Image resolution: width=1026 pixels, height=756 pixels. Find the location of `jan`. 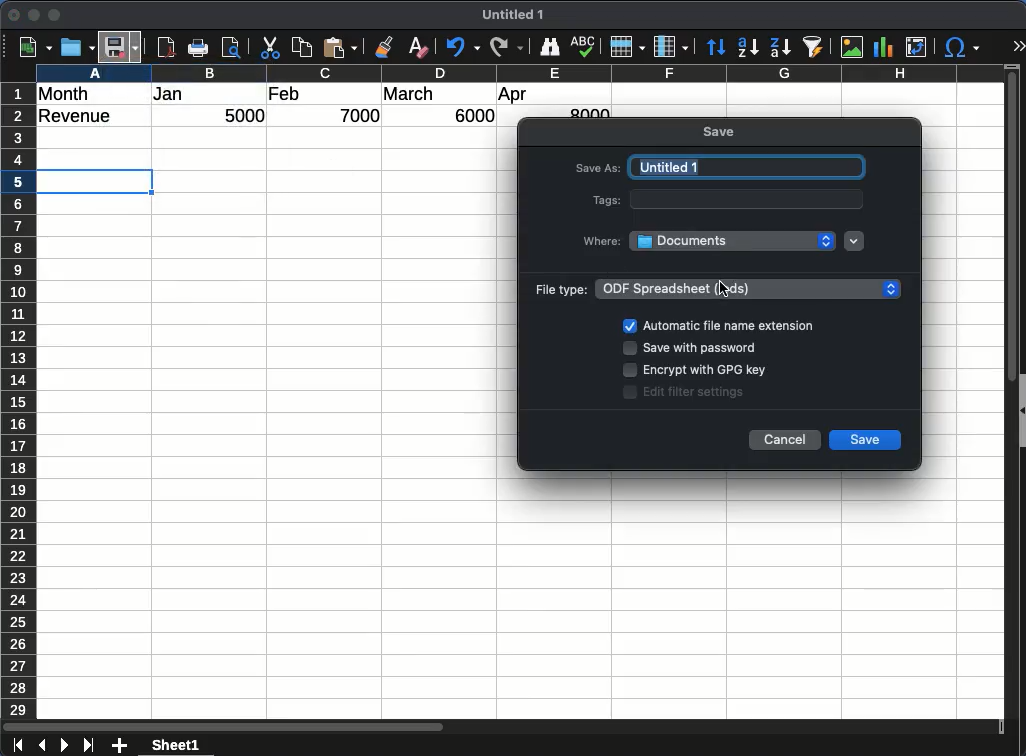

jan is located at coordinates (179, 95).